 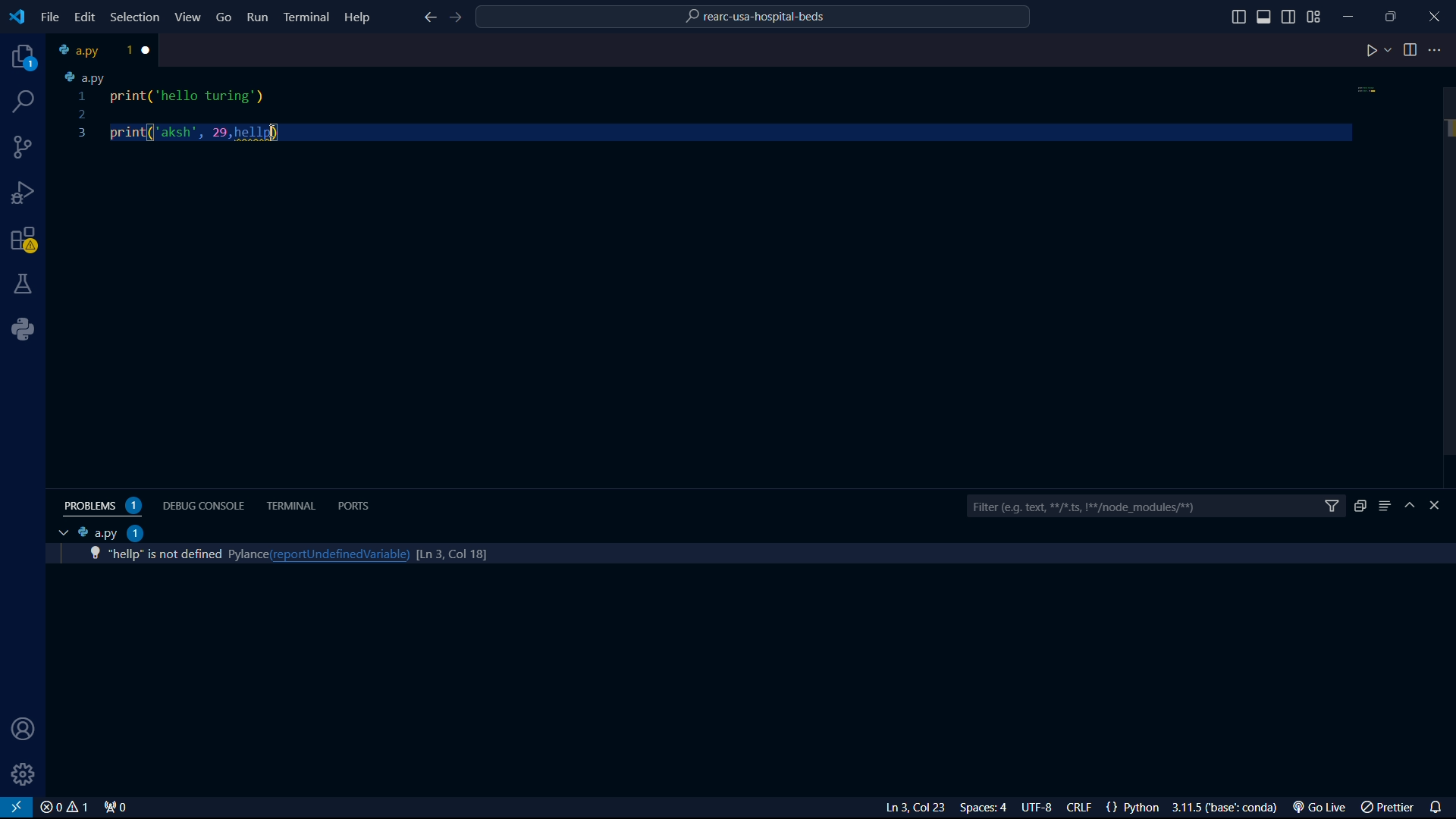 I want to click on code python, so click(x=717, y=108).